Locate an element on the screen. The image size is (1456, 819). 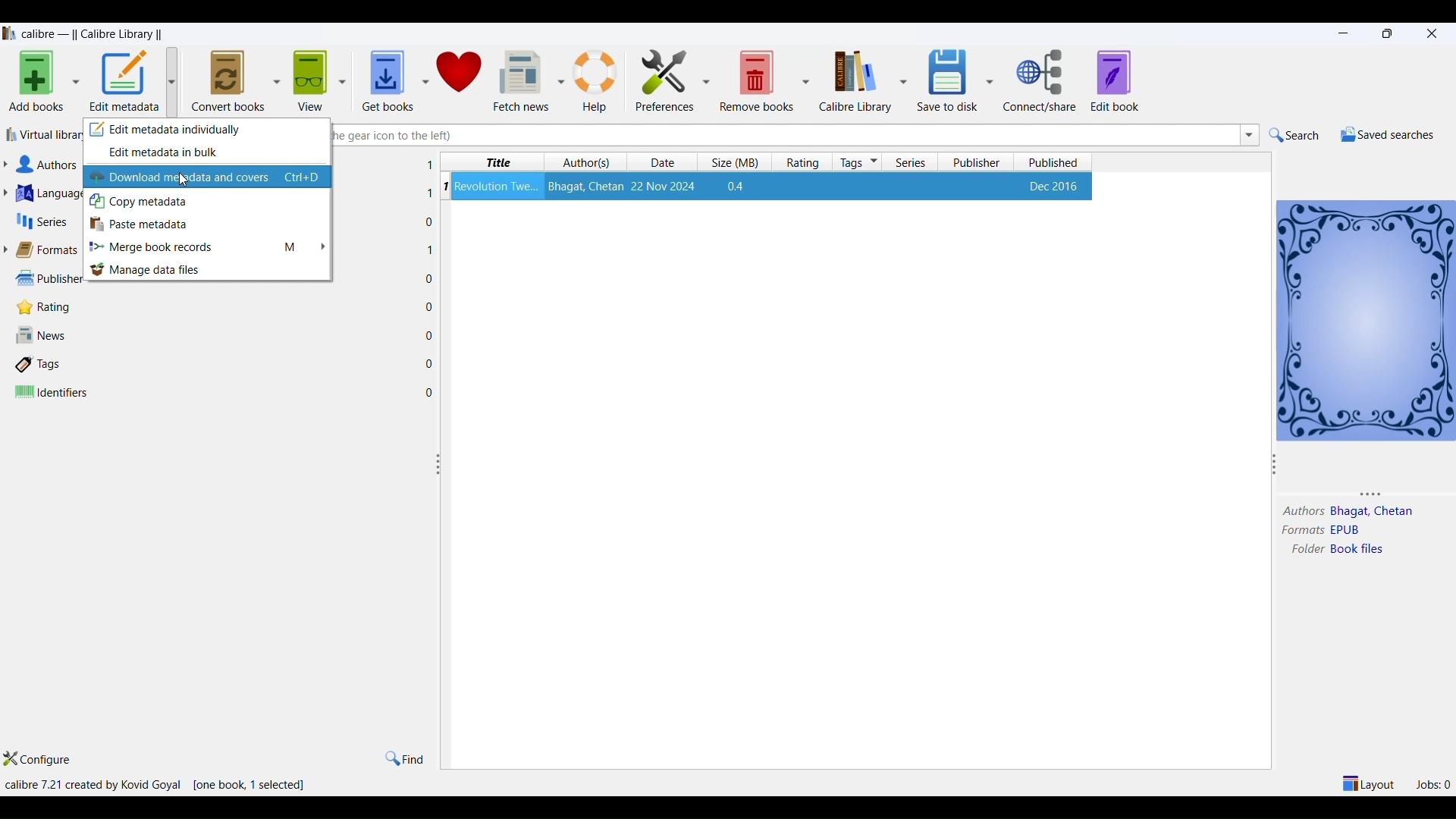
size is located at coordinates (734, 163).